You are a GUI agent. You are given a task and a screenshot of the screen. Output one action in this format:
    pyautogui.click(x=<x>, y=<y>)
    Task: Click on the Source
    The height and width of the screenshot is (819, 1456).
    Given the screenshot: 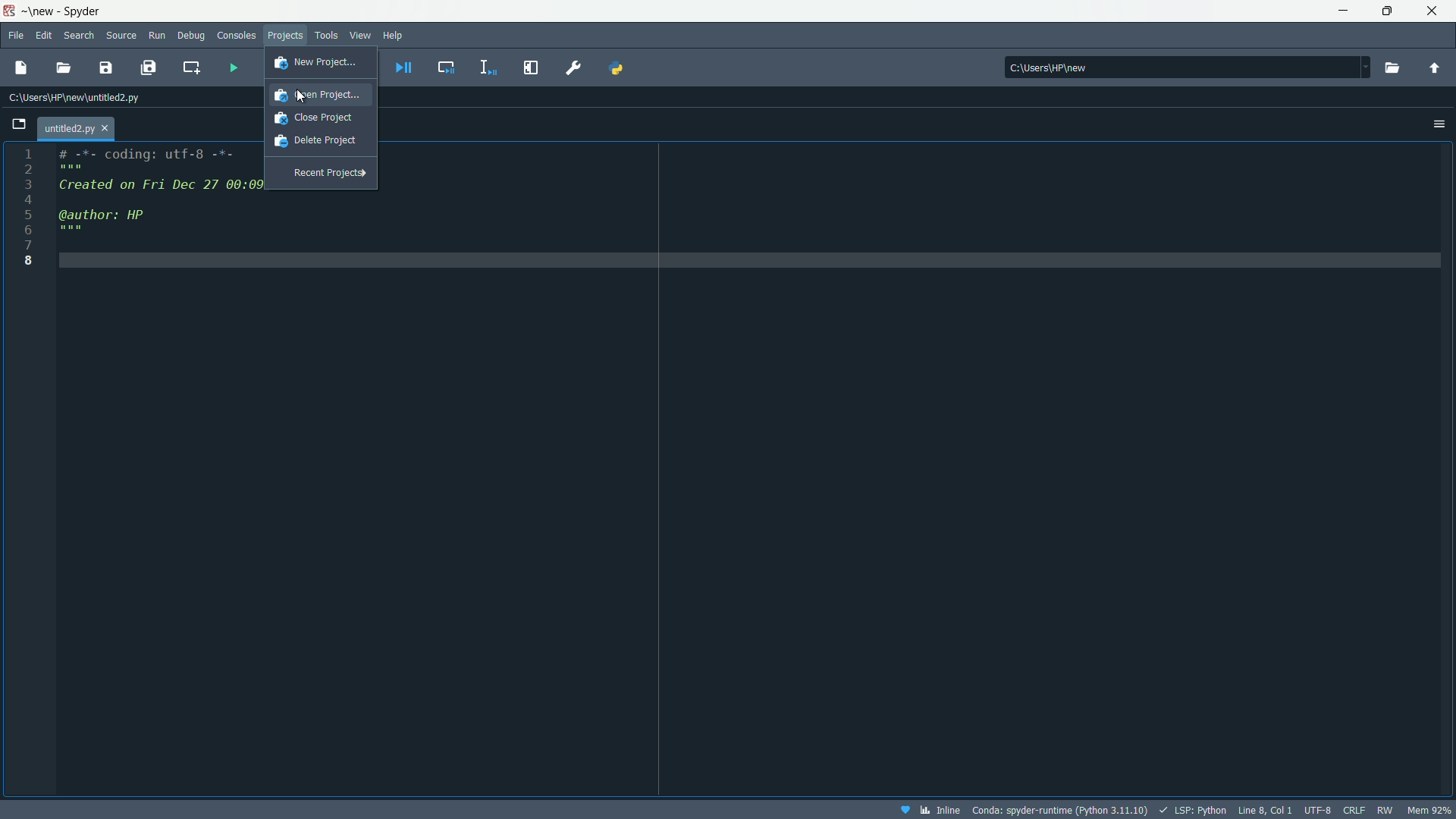 What is the action you would take?
    pyautogui.click(x=122, y=33)
    